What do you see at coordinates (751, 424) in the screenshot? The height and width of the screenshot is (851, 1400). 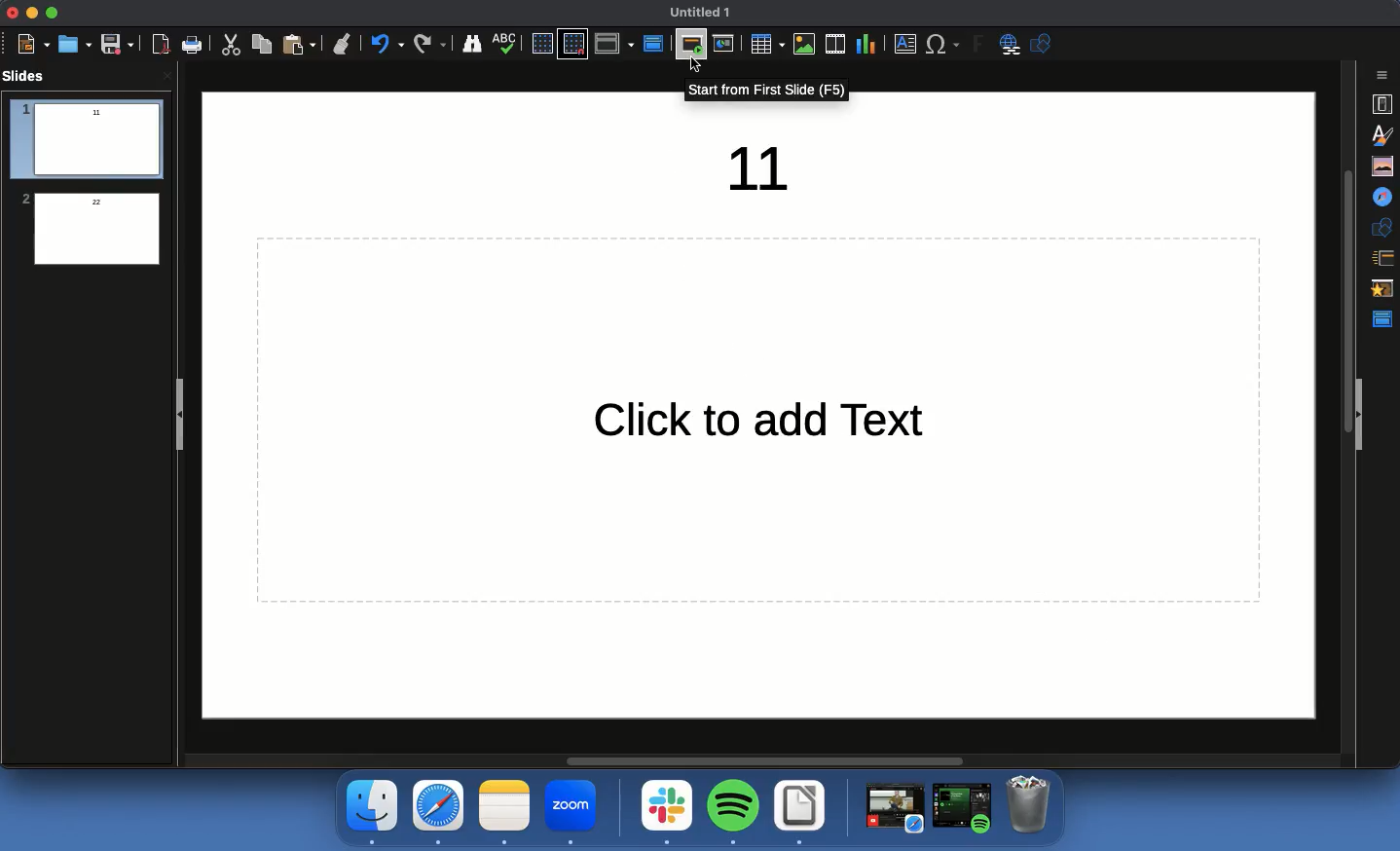 I see `Text` at bounding box center [751, 424].